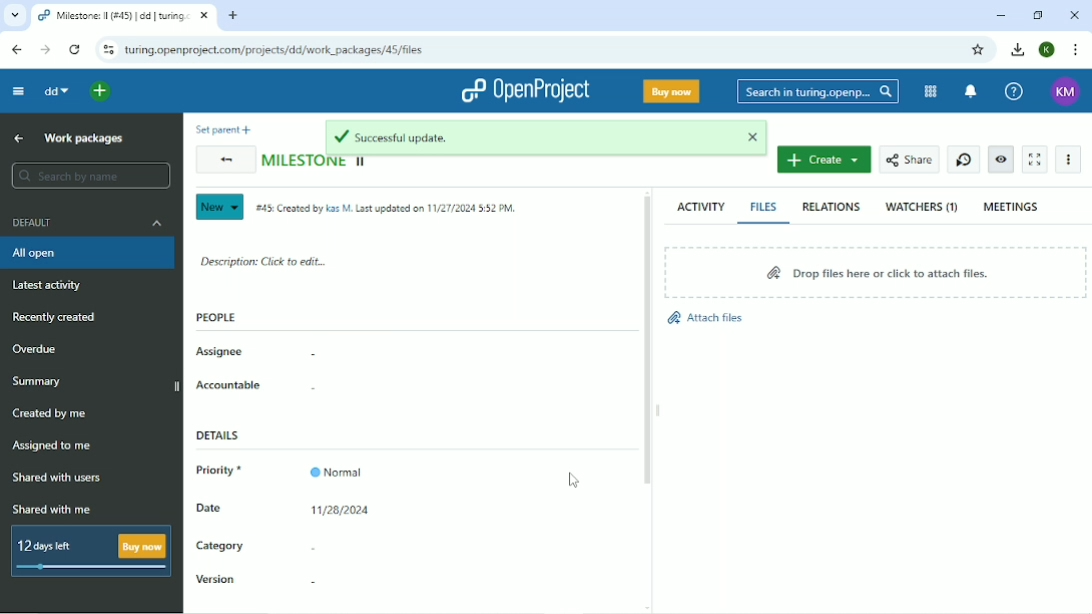  Describe the element at coordinates (264, 260) in the screenshot. I see `Description: click to edit` at that location.